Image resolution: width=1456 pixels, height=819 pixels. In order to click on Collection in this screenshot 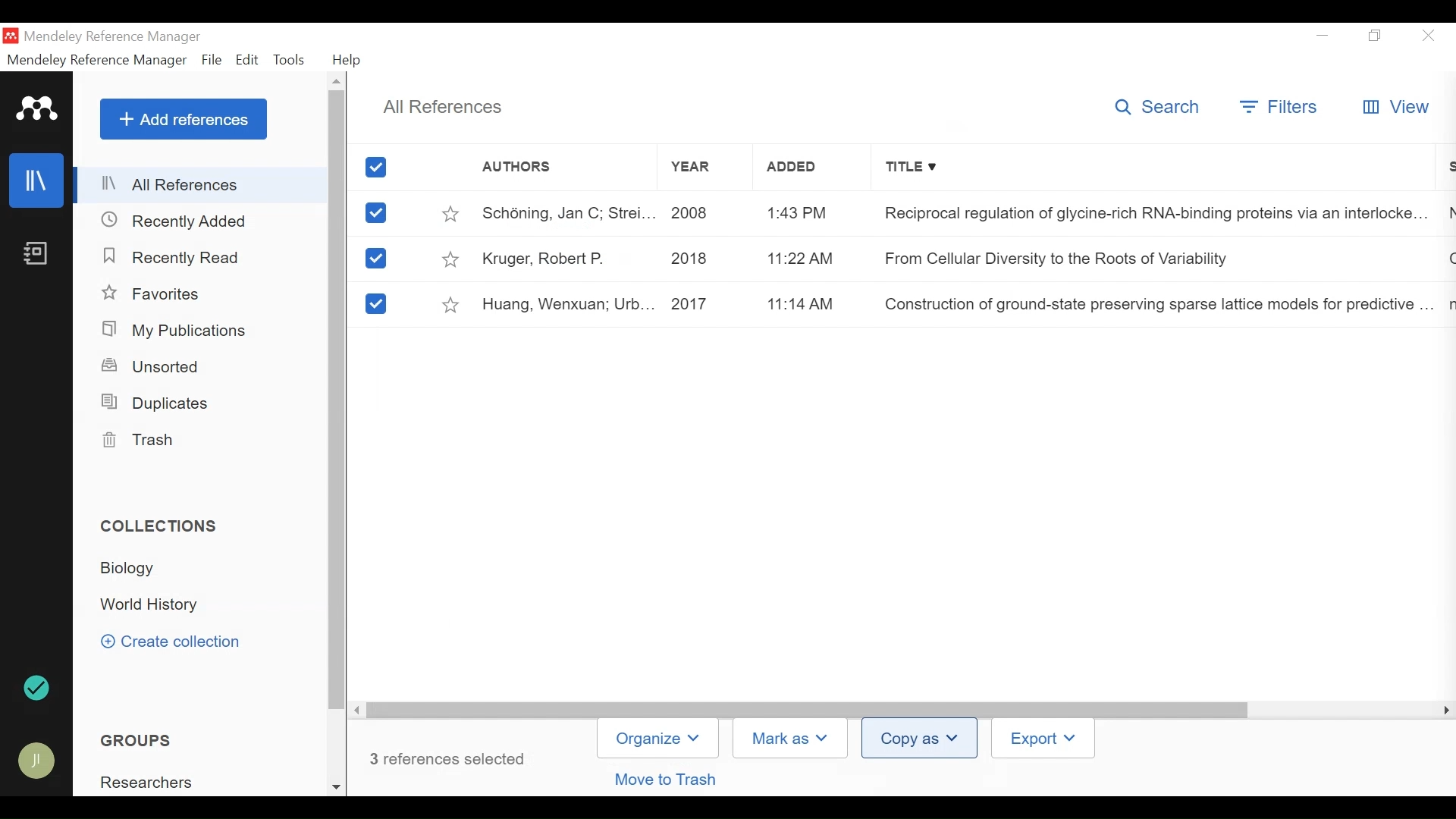, I will do `click(133, 569)`.